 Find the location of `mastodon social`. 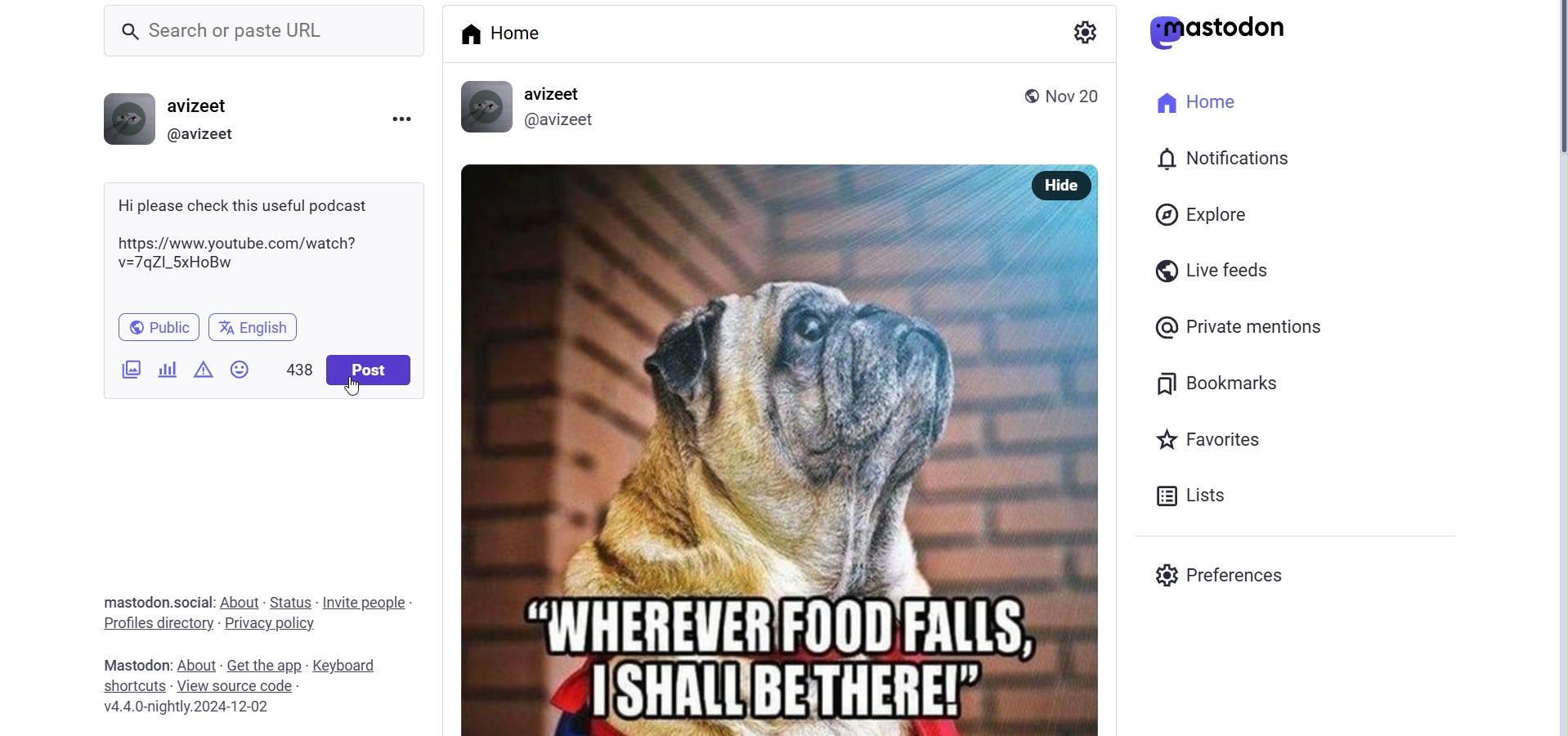

mastodon social is located at coordinates (153, 602).